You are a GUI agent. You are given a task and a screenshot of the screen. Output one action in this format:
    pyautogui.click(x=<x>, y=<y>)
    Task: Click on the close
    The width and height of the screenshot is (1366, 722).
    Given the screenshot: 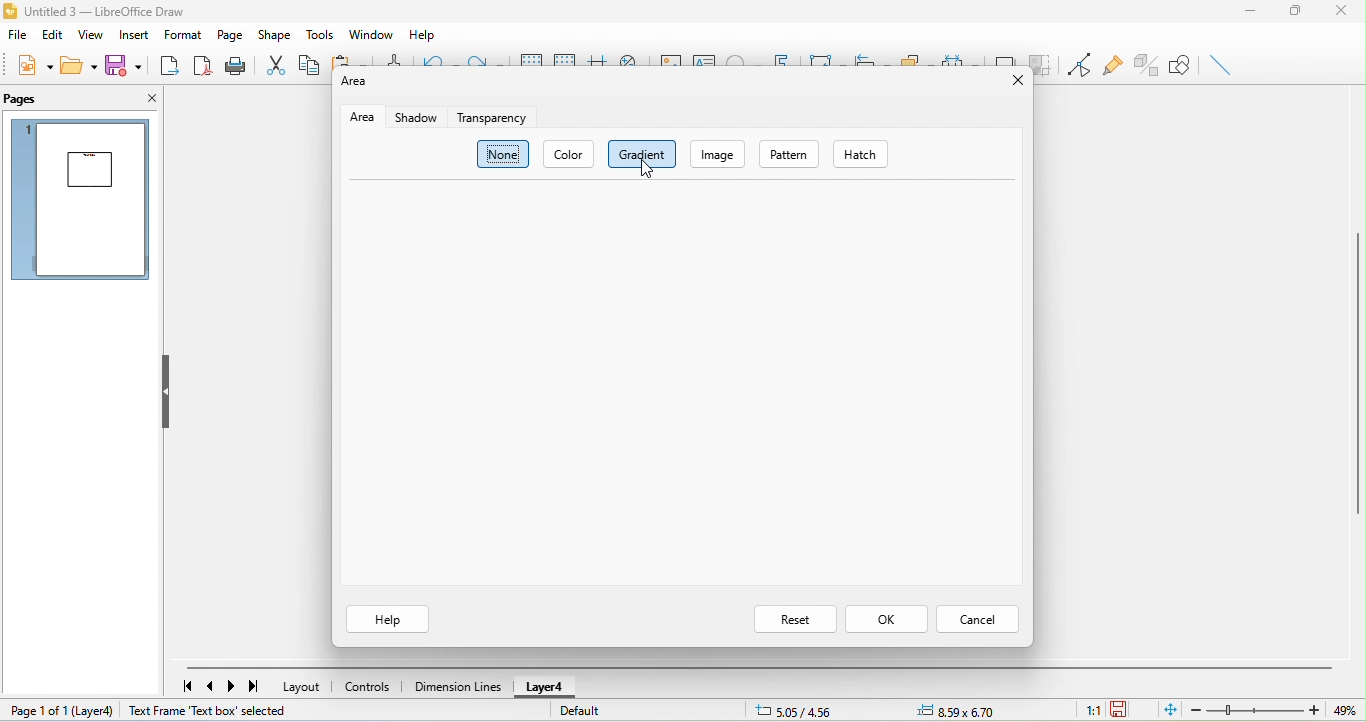 What is the action you would take?
    pyautogui.click(x=1016, y=83)
    